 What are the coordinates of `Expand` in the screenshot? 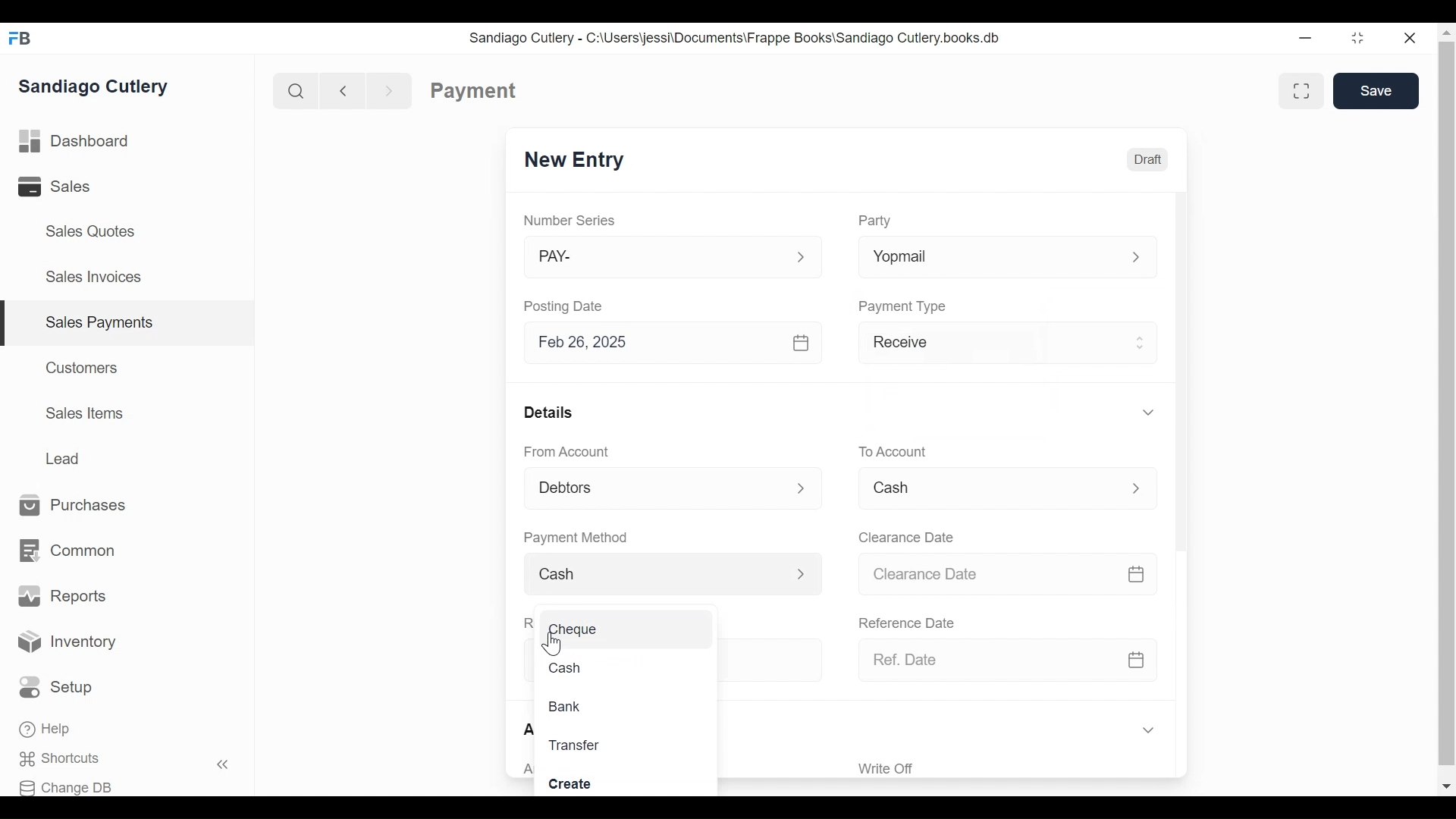 It's located at (1135, 488).